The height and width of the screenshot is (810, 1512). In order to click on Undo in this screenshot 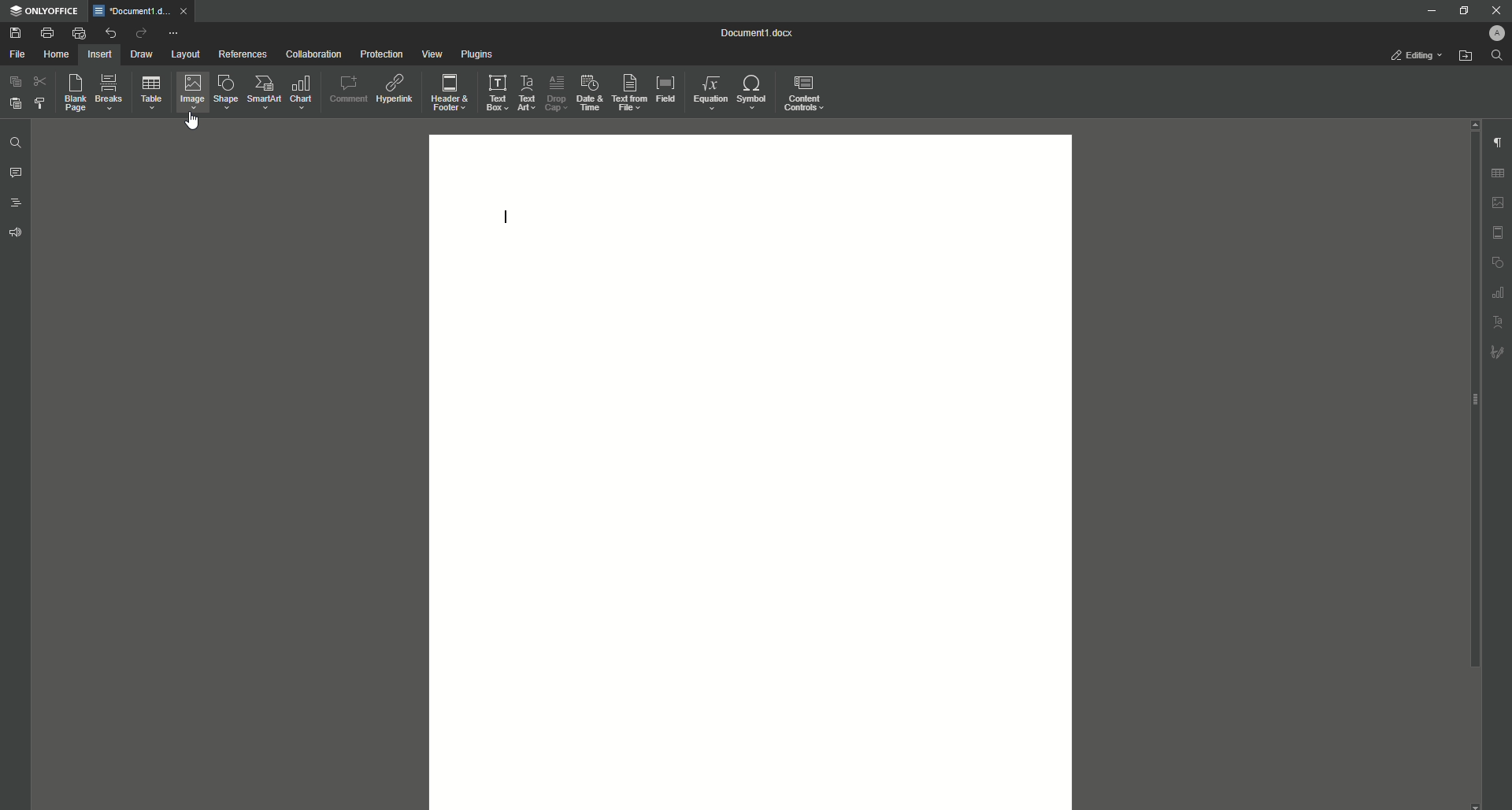, I will do `click(110, 33)`.